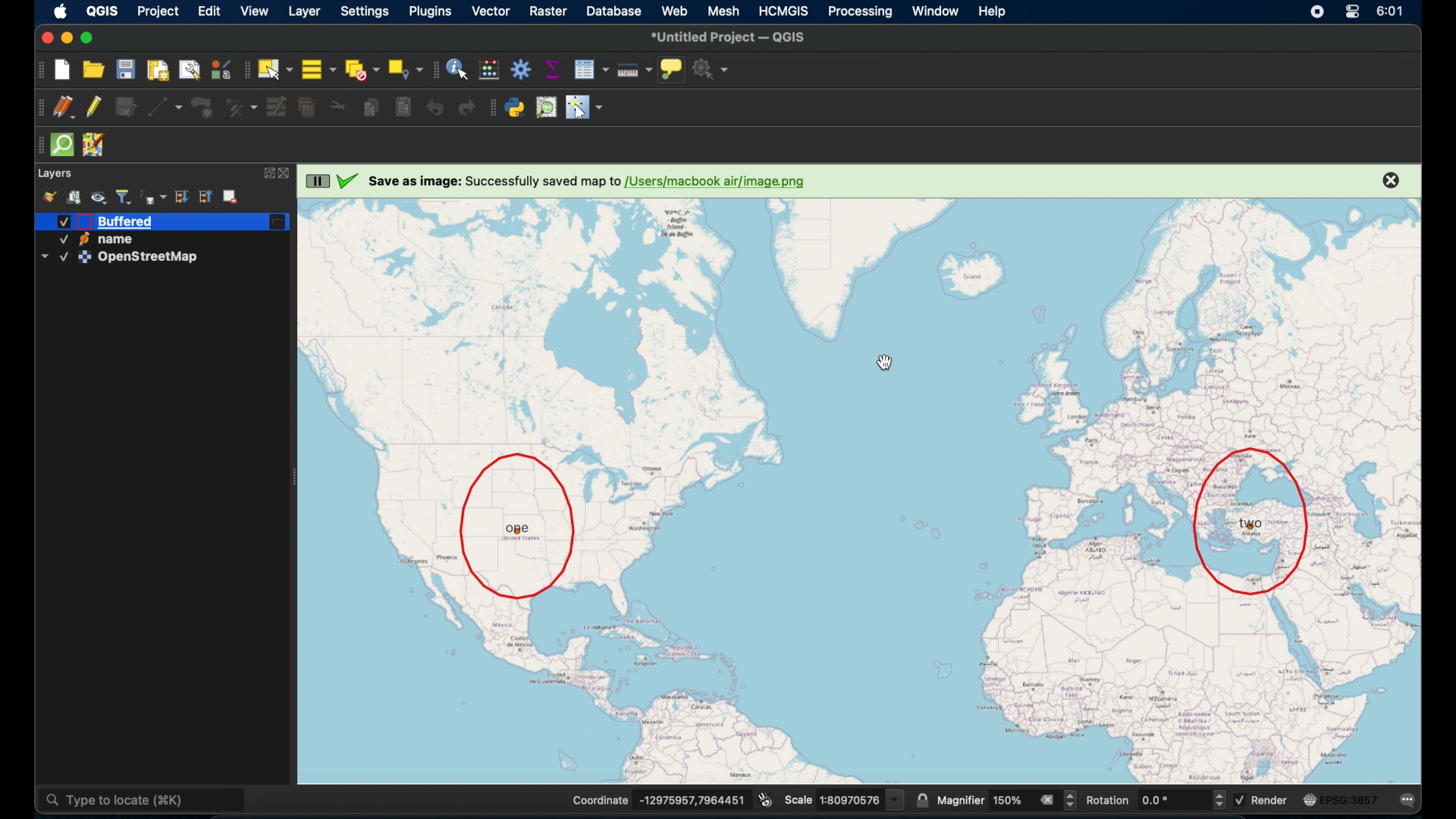 This screenshot has height=819, width=1456. I want to click on copy features, so click(371, 108).